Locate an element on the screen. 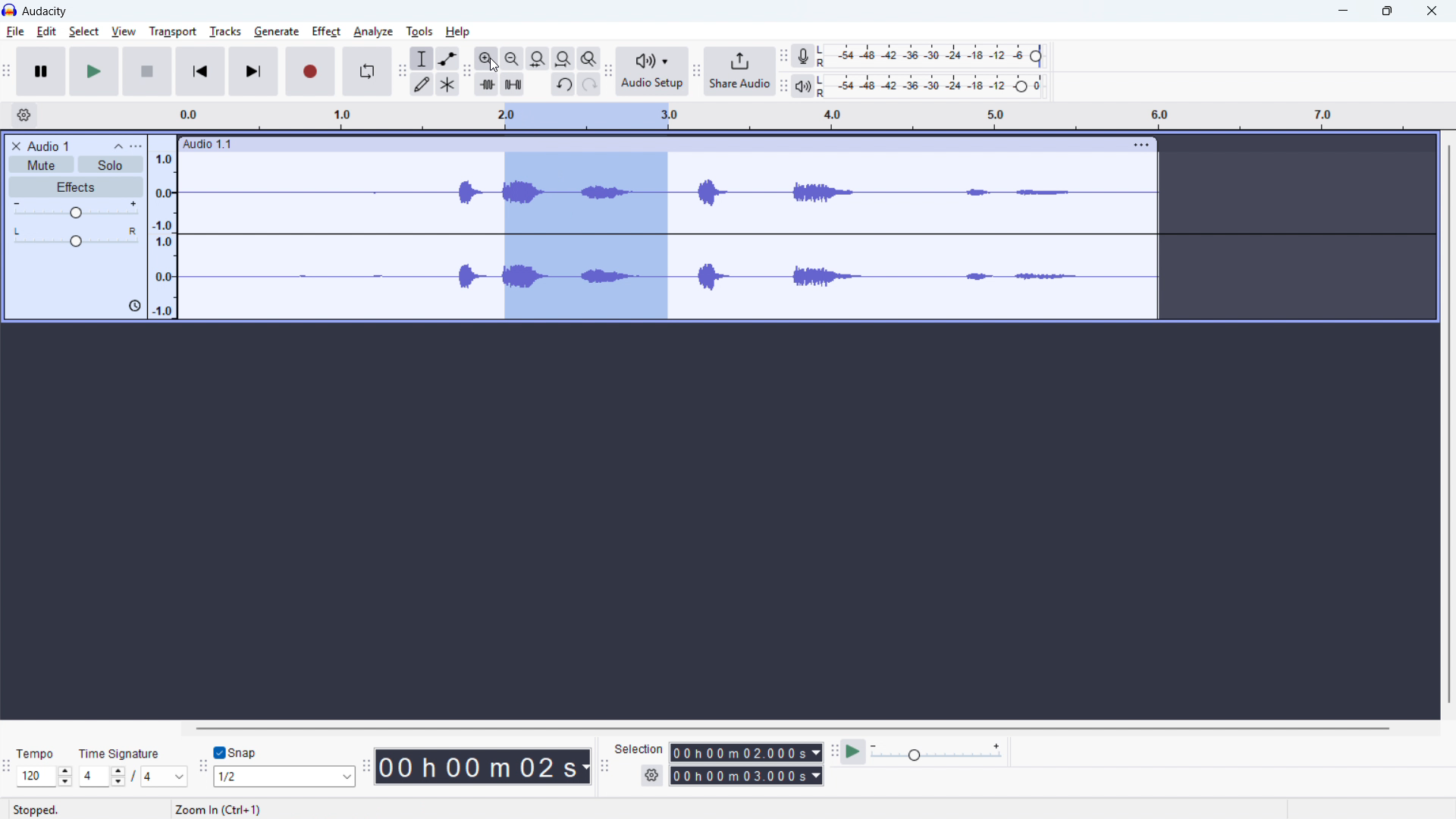 This screenshot has height=819, width=1456. Audio setup toolbar is located at coordinates (607, 72).